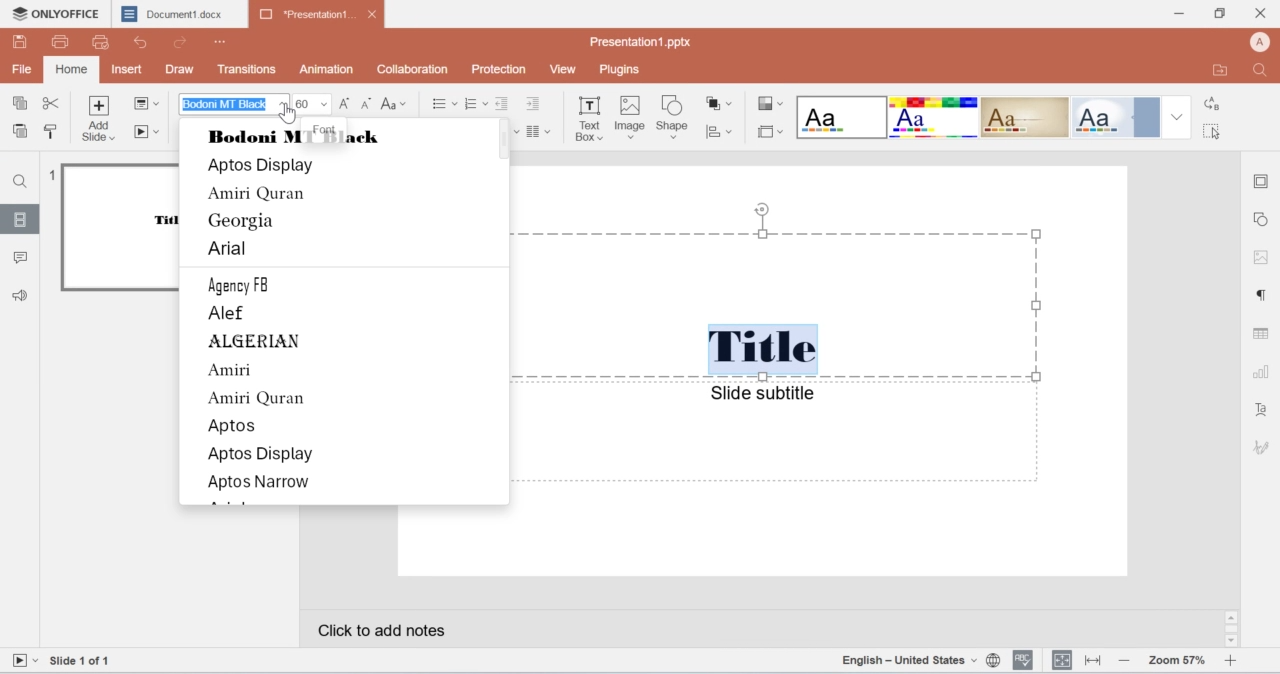  I want to click on File, so click(21, 68).